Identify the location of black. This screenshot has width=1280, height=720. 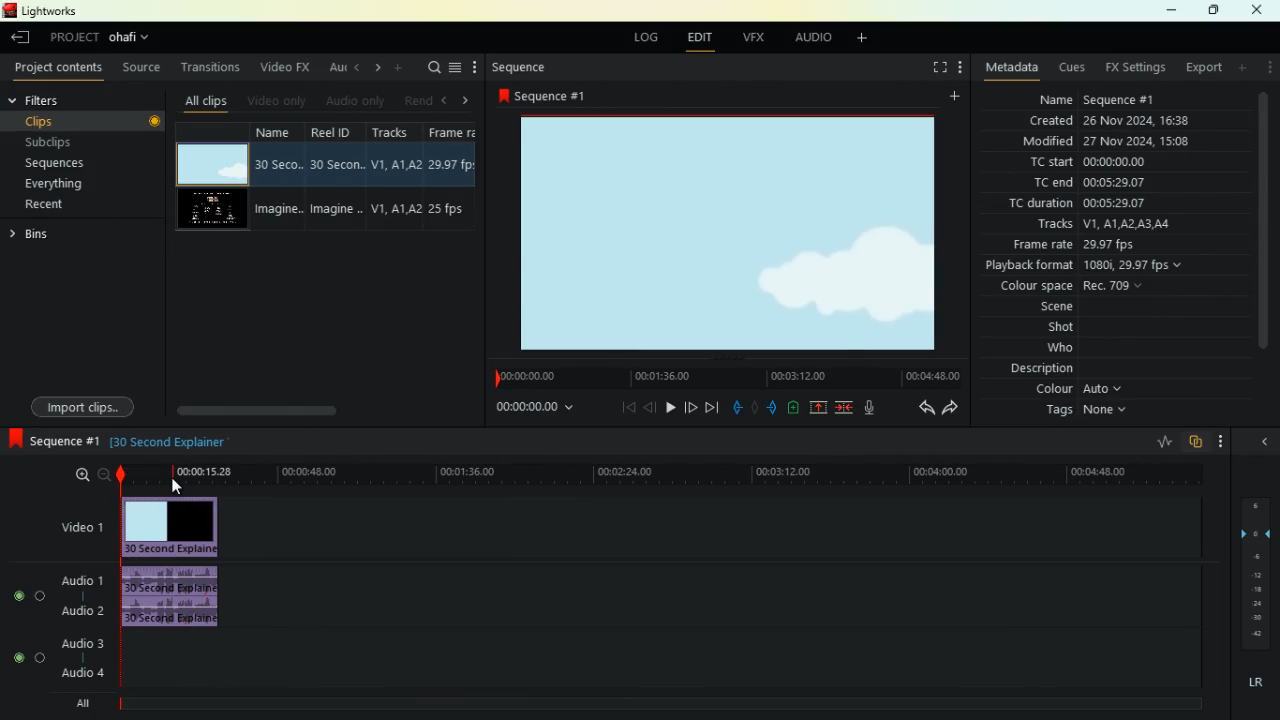
(126, 446).